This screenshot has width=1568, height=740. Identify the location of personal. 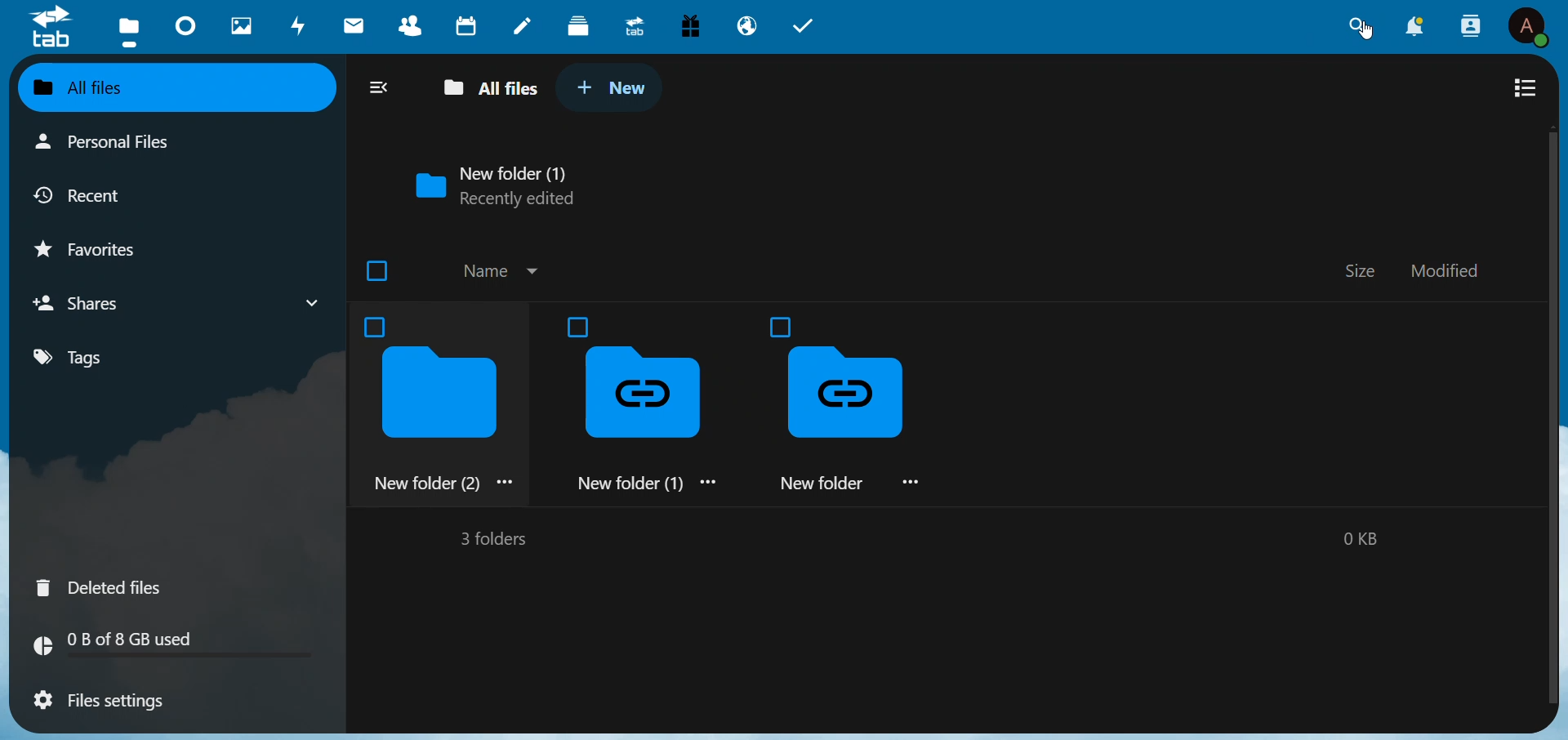
(138, 143).